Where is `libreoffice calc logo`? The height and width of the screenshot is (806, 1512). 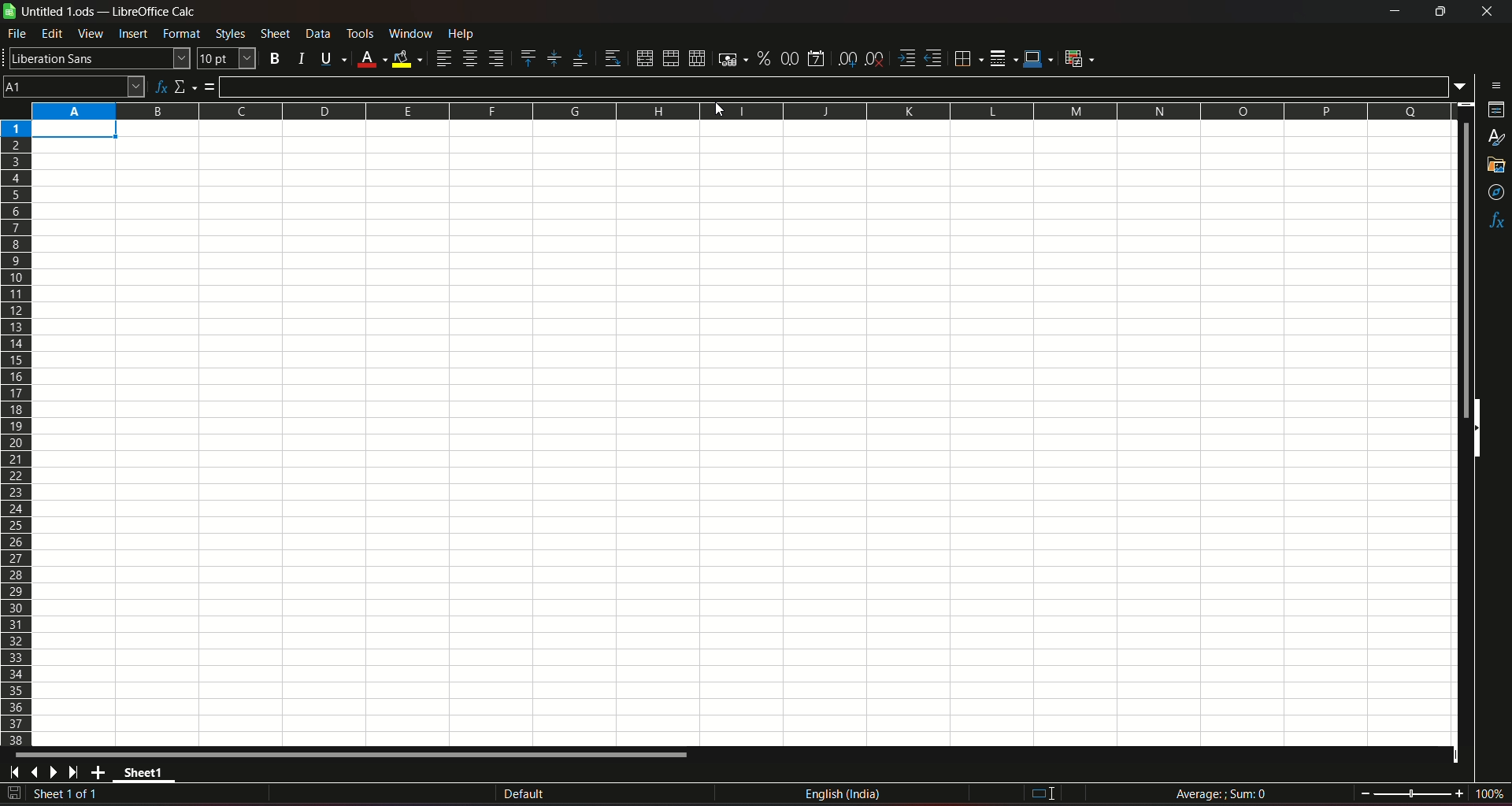 libreoffice calc logo is located at coordinates (9, 13).